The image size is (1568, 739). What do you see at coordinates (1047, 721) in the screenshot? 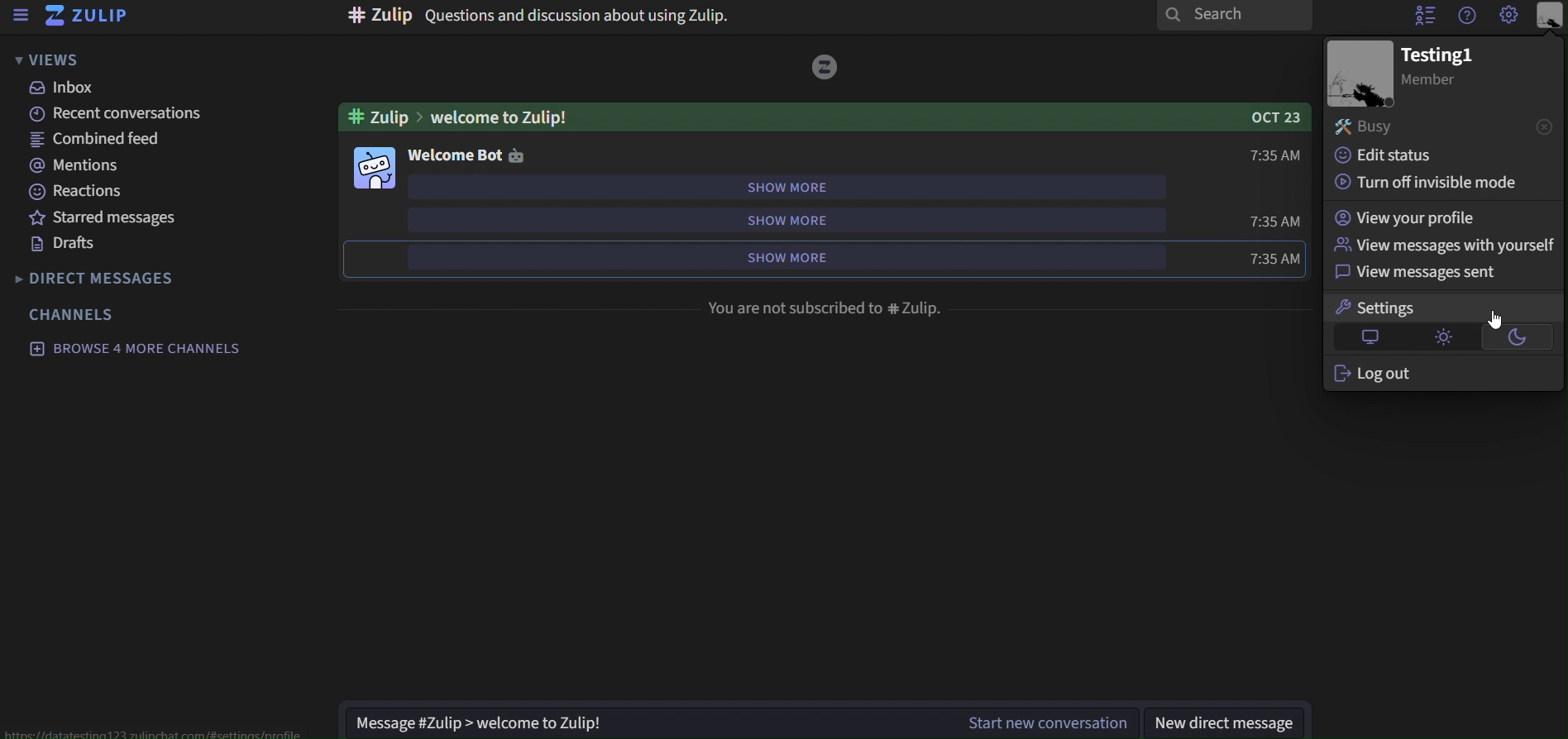
I see `Start new conversation` at bounding box center [1047, 721].